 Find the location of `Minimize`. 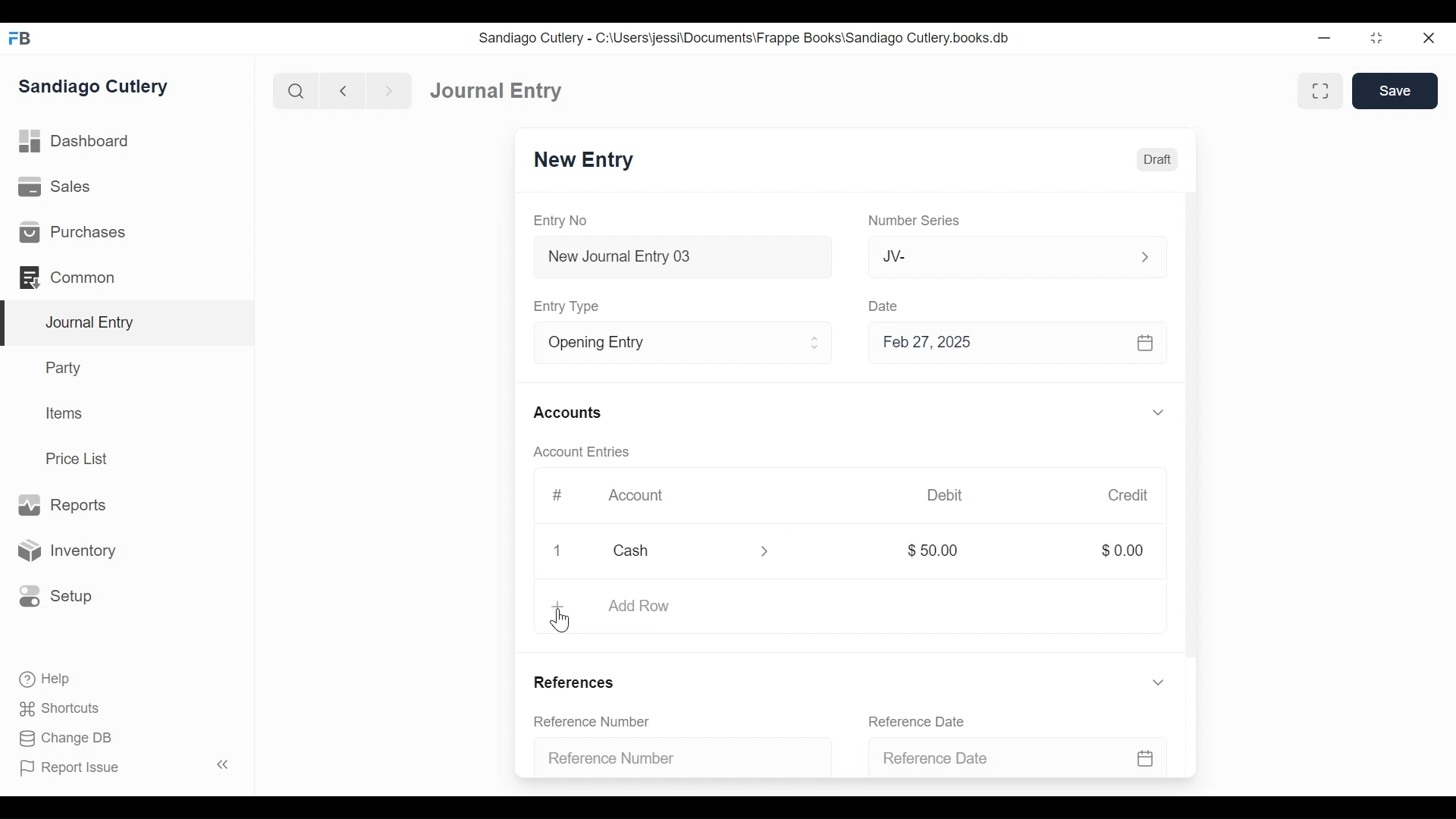

Minimize is located at coordinates (1326, 37).